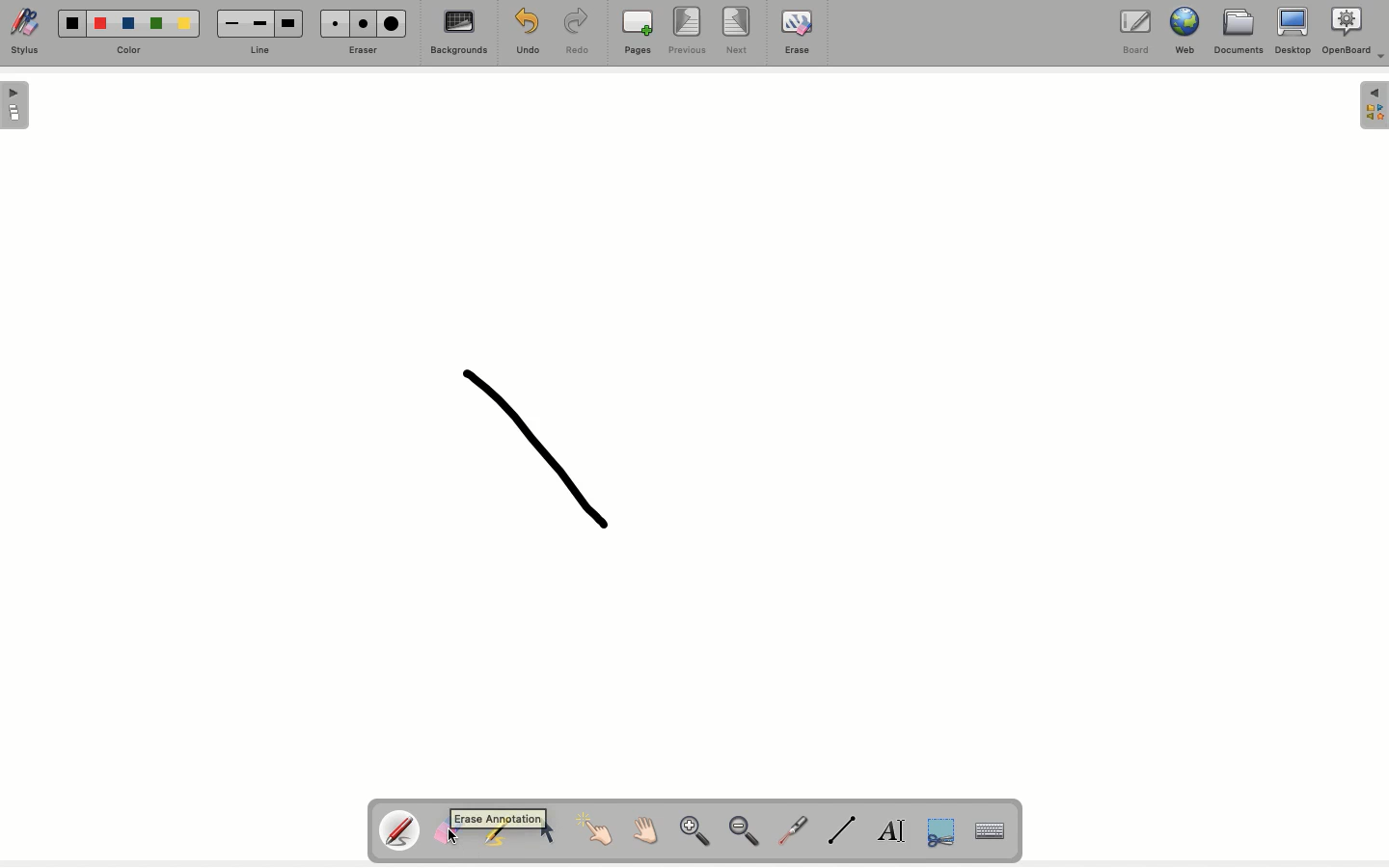 Image resolution: width=1389 pixels, height=868 pixels. What do you see at coordinates (395, 23) in the screenshot?
I see `Large ` at bounding box center [395, 23].